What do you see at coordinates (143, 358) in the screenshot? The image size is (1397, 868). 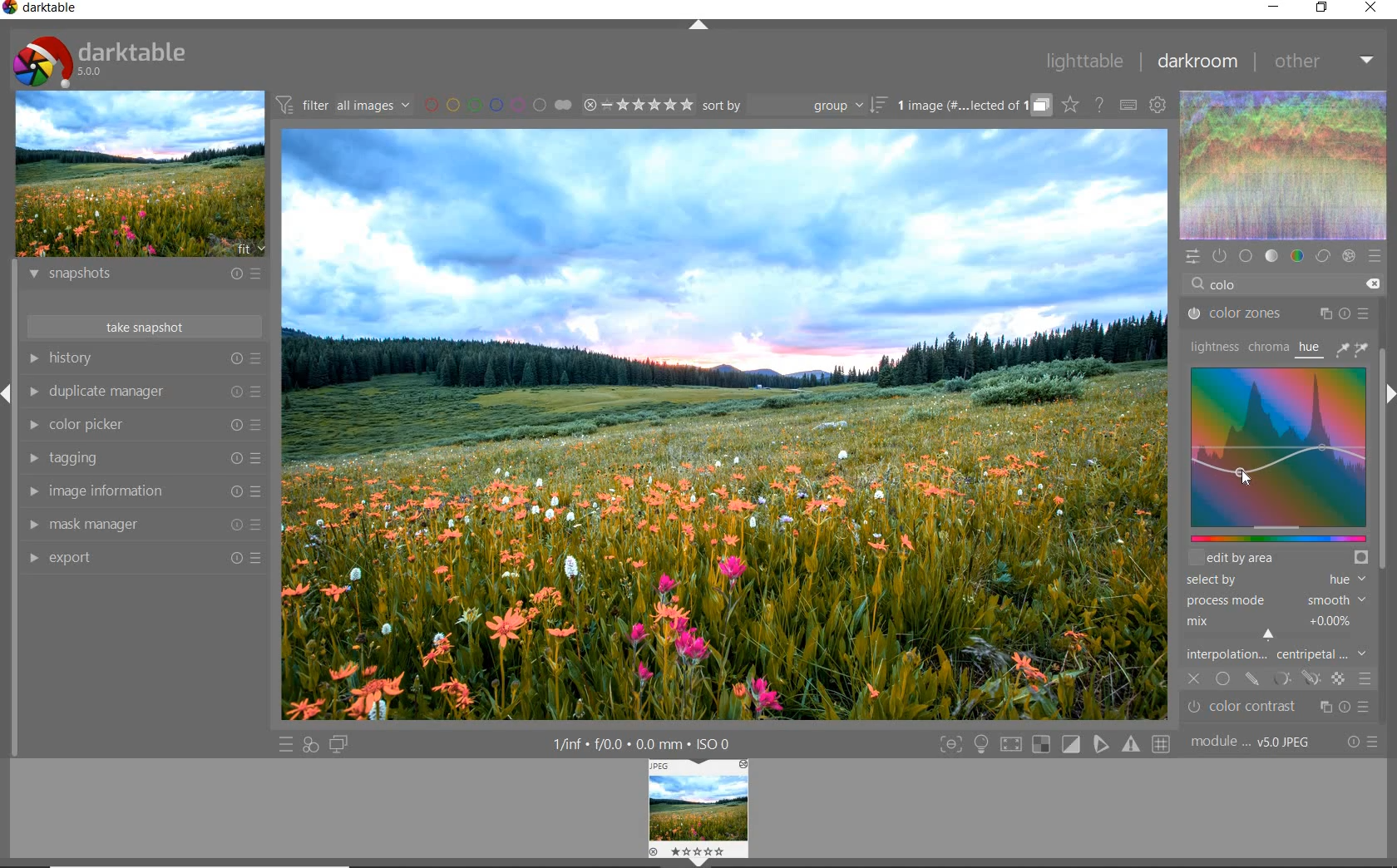 I see `history` at bounding box center [143, 358].